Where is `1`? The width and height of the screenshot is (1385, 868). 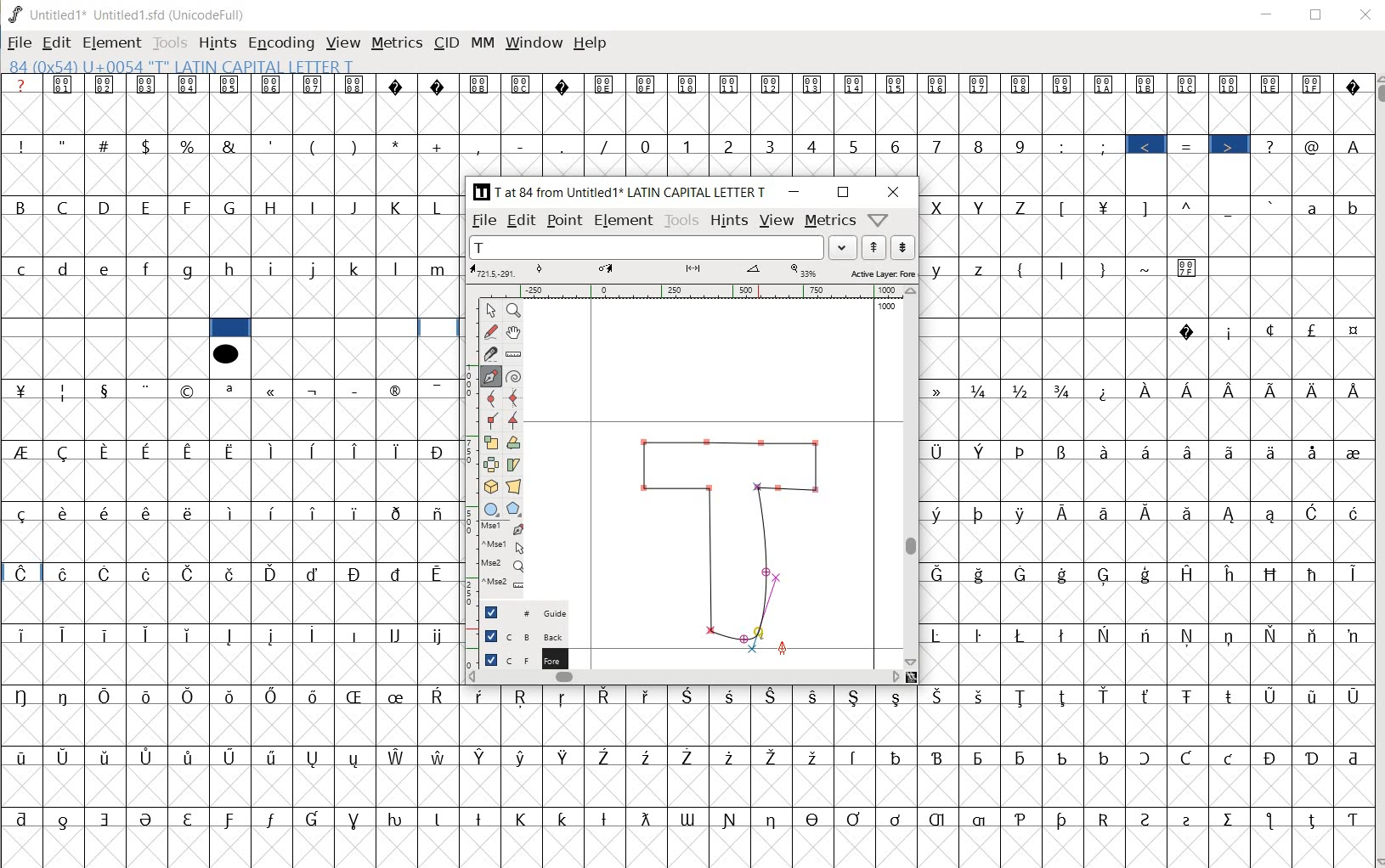
1 is located at coordinates (688, 144).